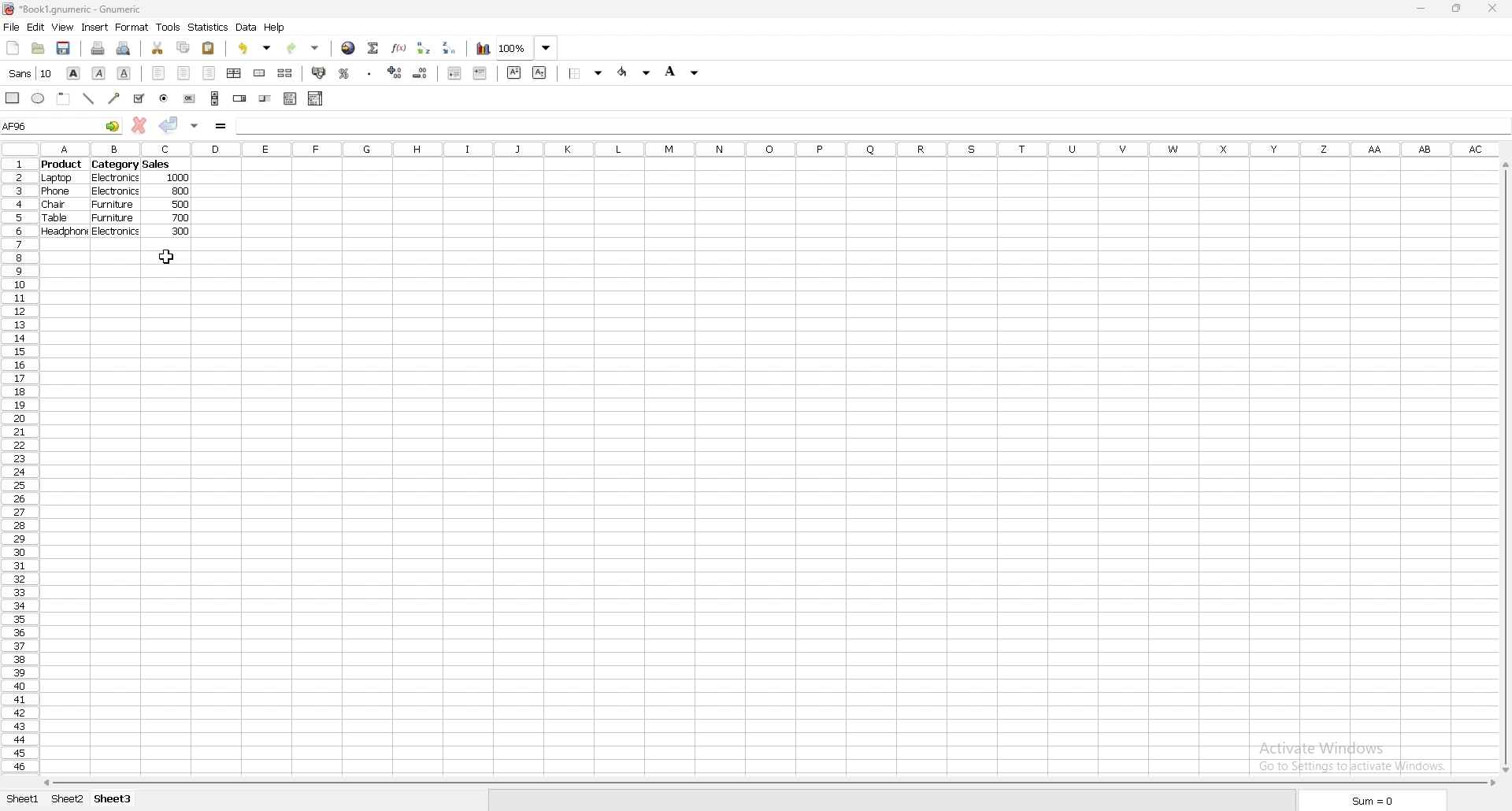 Image resolution: width=1512 pixels, height=811 pixels. I want to click on electronics, so click(116, 177).